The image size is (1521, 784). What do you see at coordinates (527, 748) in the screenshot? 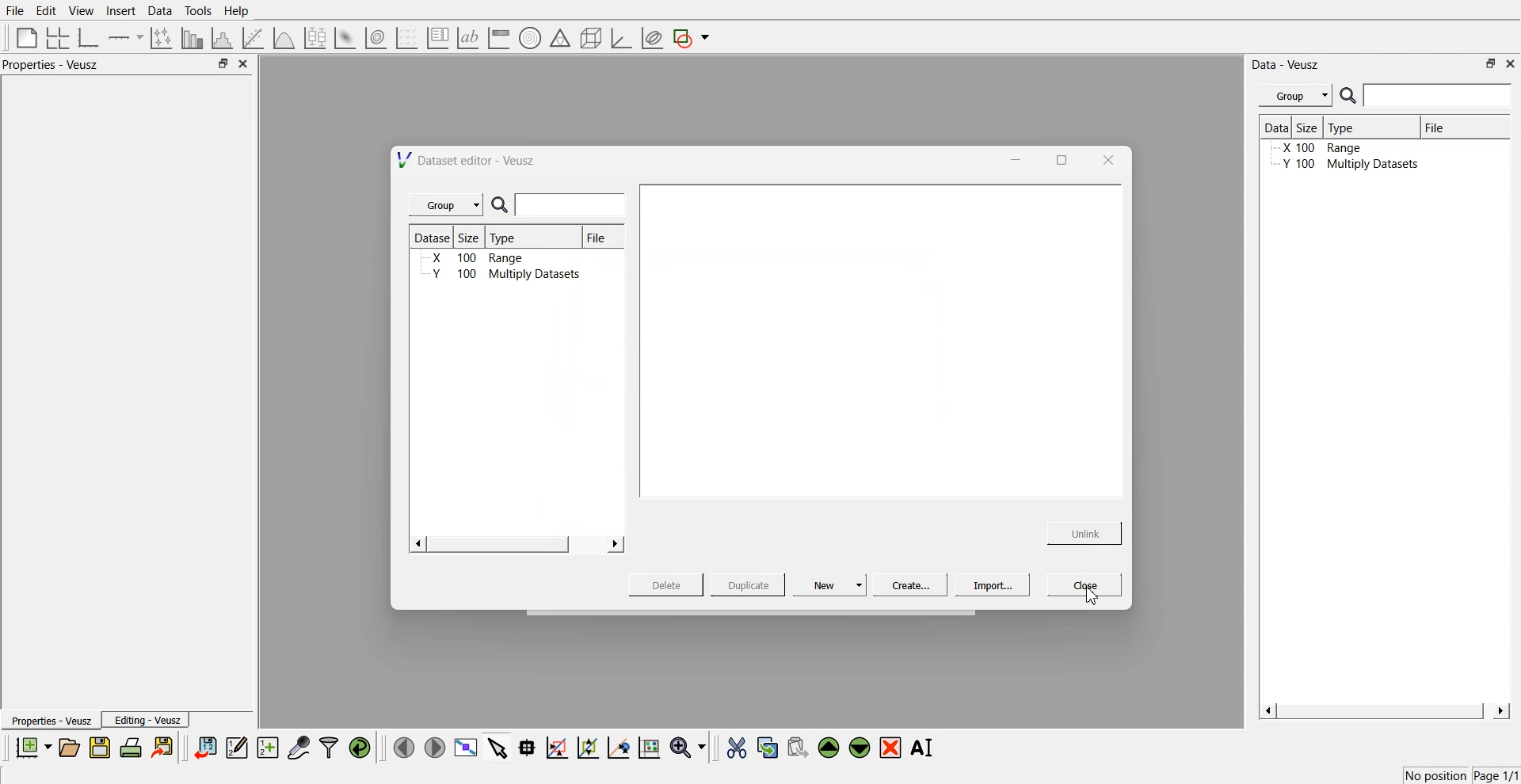
I see `read data points` at bounding box center [527, 748].